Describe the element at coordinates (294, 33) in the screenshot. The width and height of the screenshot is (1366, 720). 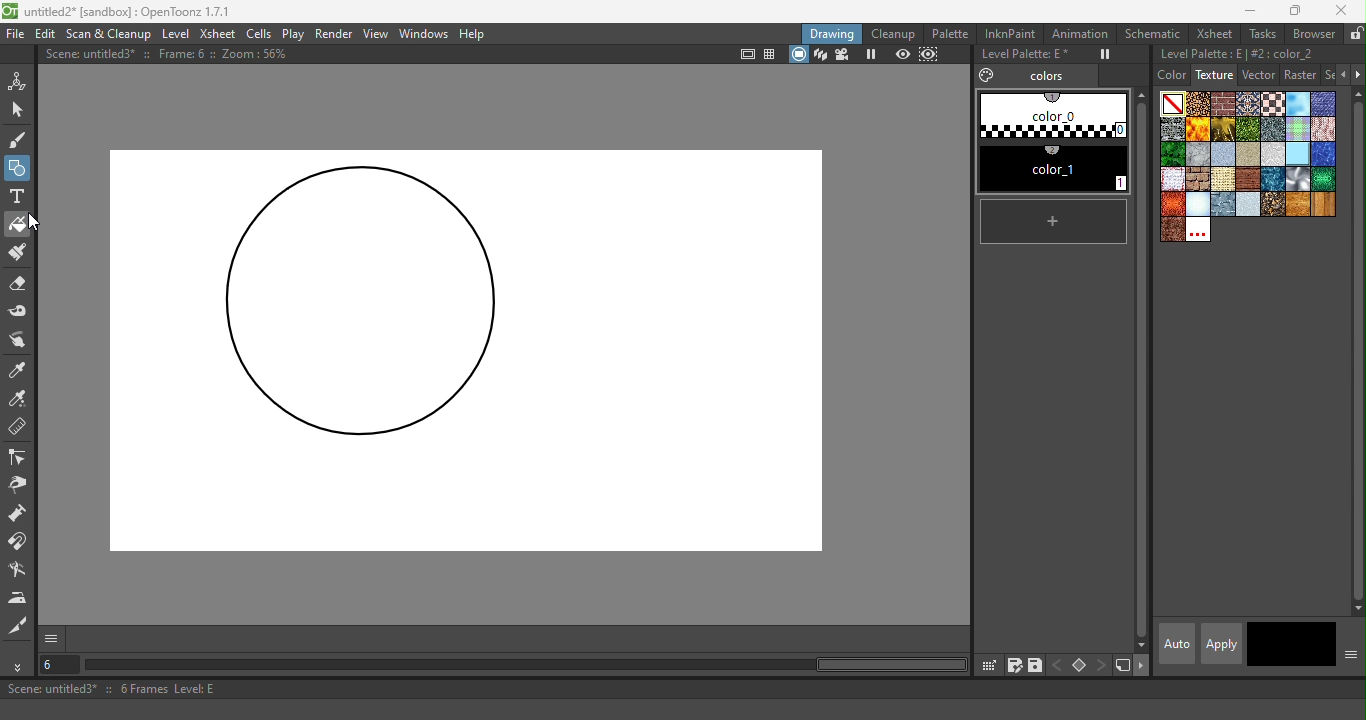
I see `Play` at that location.